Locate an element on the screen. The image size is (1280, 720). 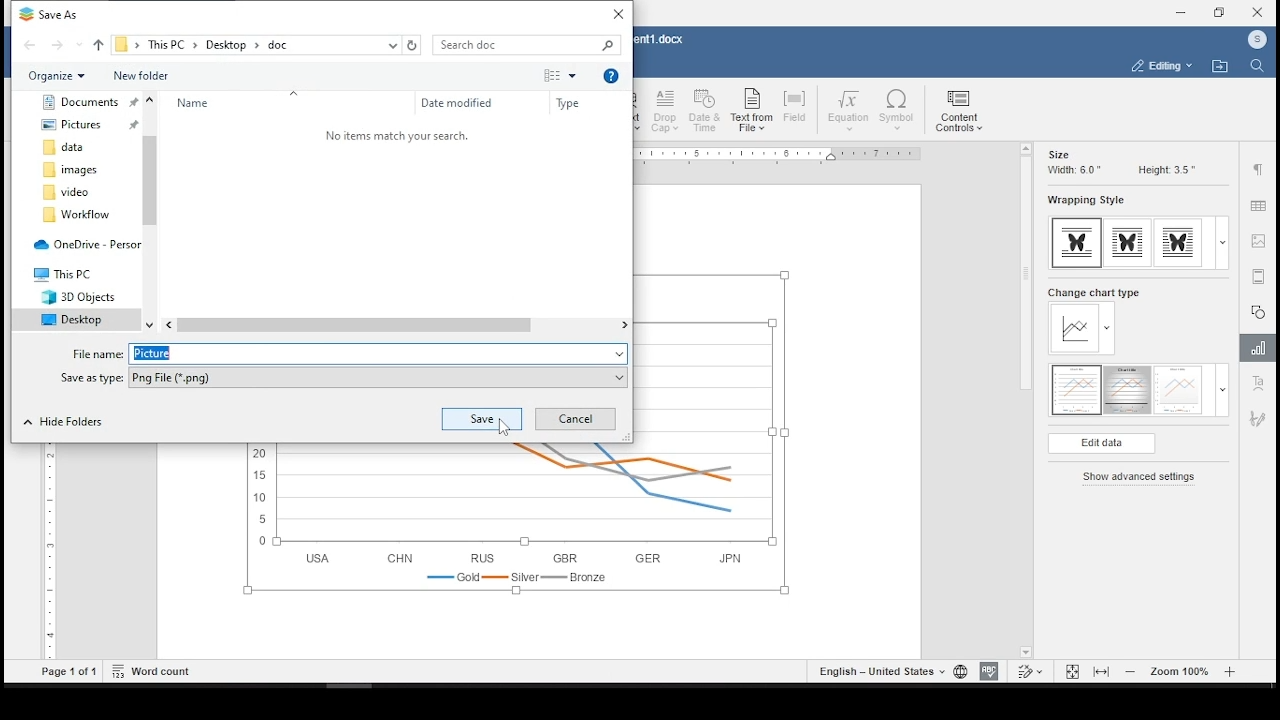
forward is located at coordinates (57, 46).